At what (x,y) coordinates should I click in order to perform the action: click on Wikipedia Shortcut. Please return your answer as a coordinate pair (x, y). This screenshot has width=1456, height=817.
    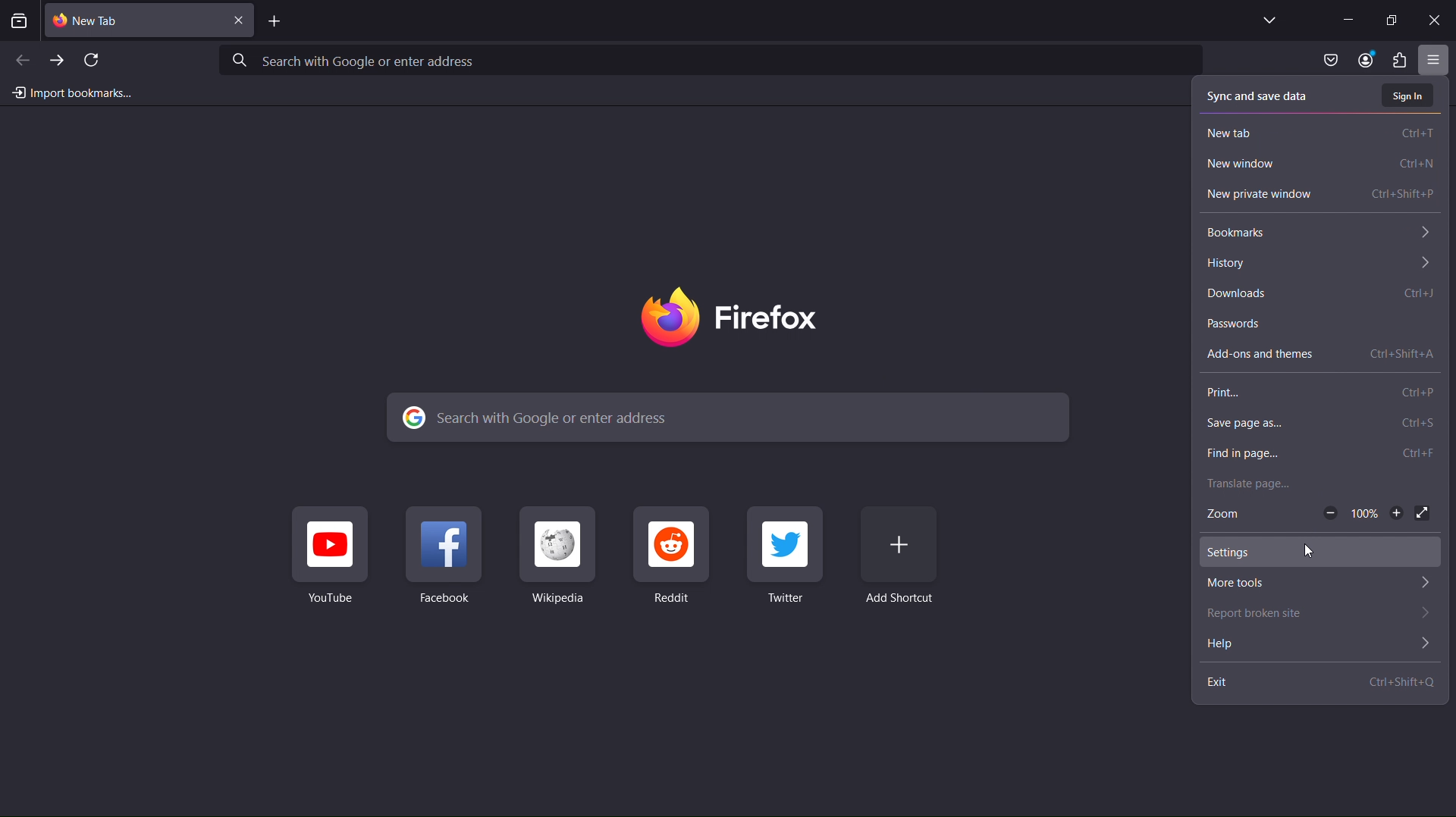
    Looking at the image, I should click on (563, 556).